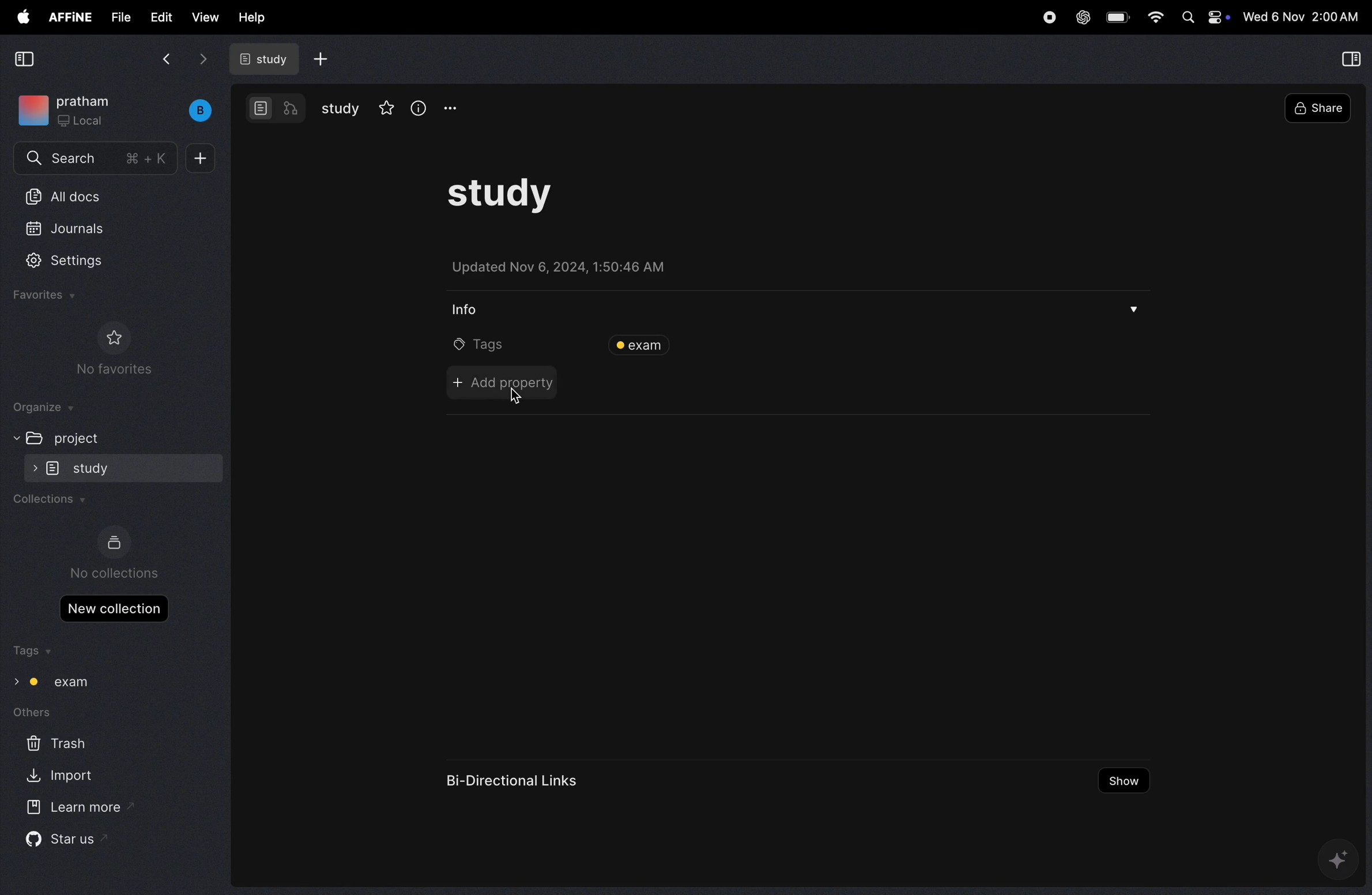 Image resolution: width=1372 pixels, height=895 pixels. Describe the element at coordinates (38, 408) in the screenshot. I see `organize` at that location.